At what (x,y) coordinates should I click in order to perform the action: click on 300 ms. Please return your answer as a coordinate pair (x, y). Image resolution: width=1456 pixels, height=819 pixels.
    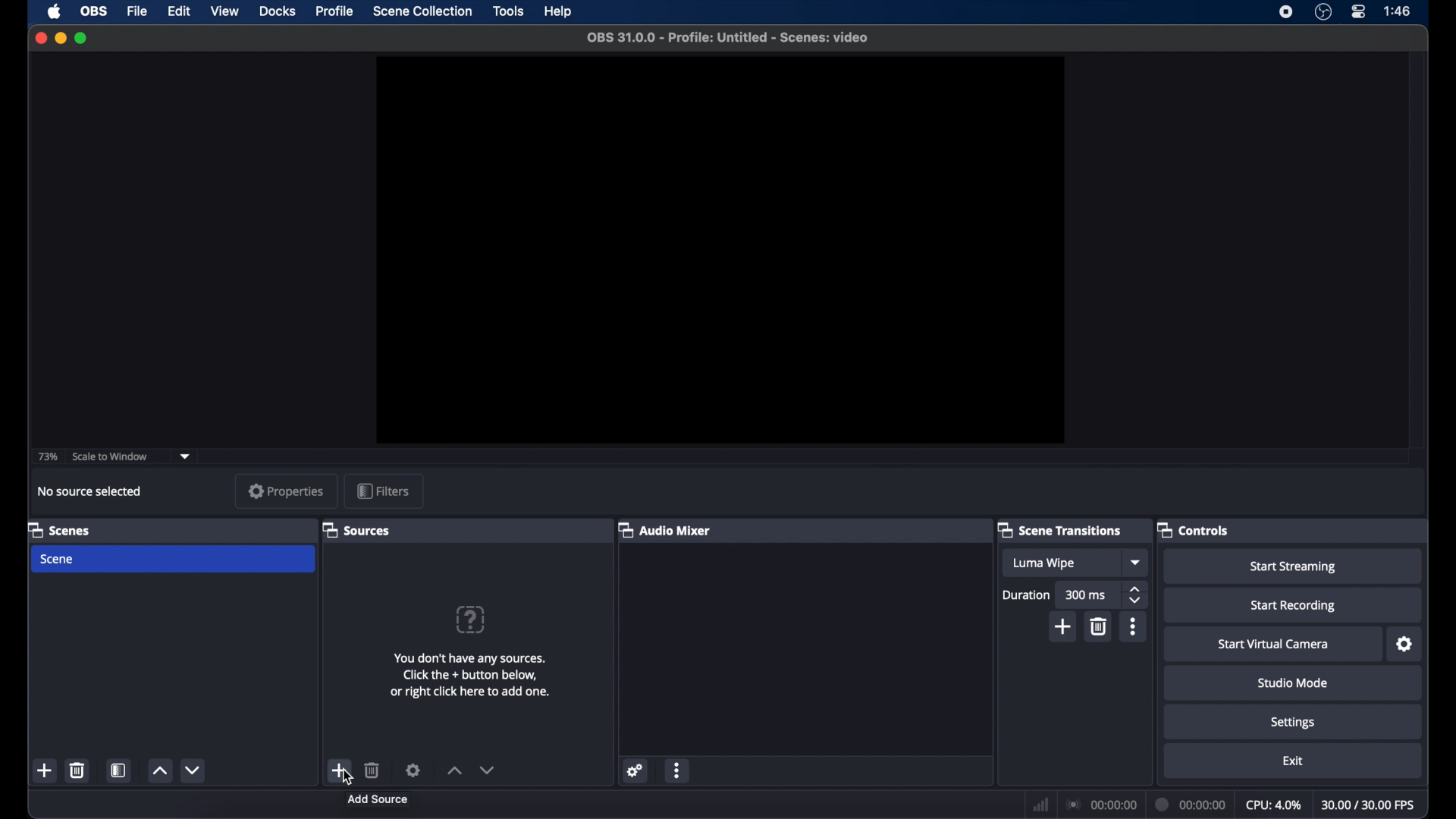
    Looking at the image, I should click on (1086, 595).